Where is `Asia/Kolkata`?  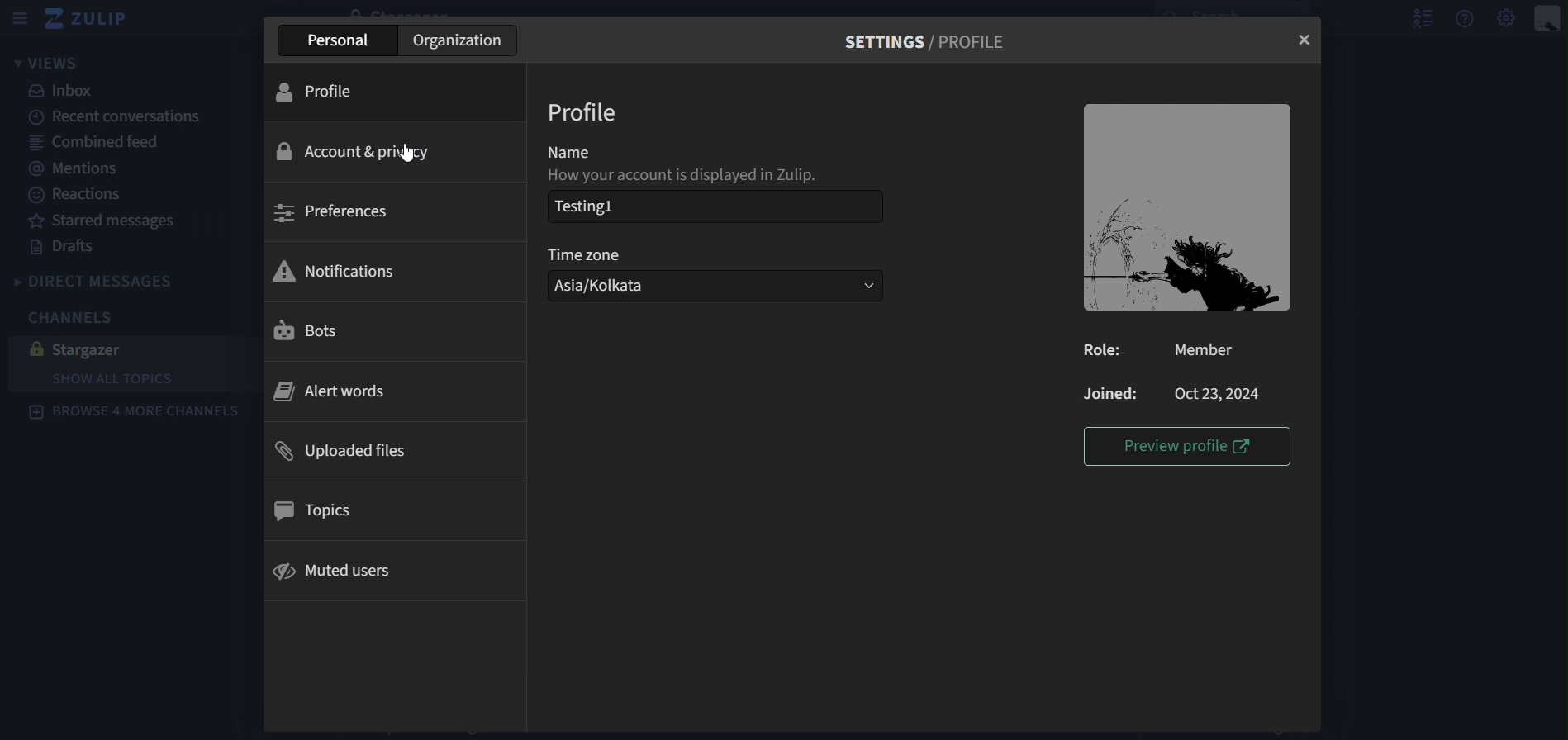
Asia/Kolkata is located at coordinates (716, 290).